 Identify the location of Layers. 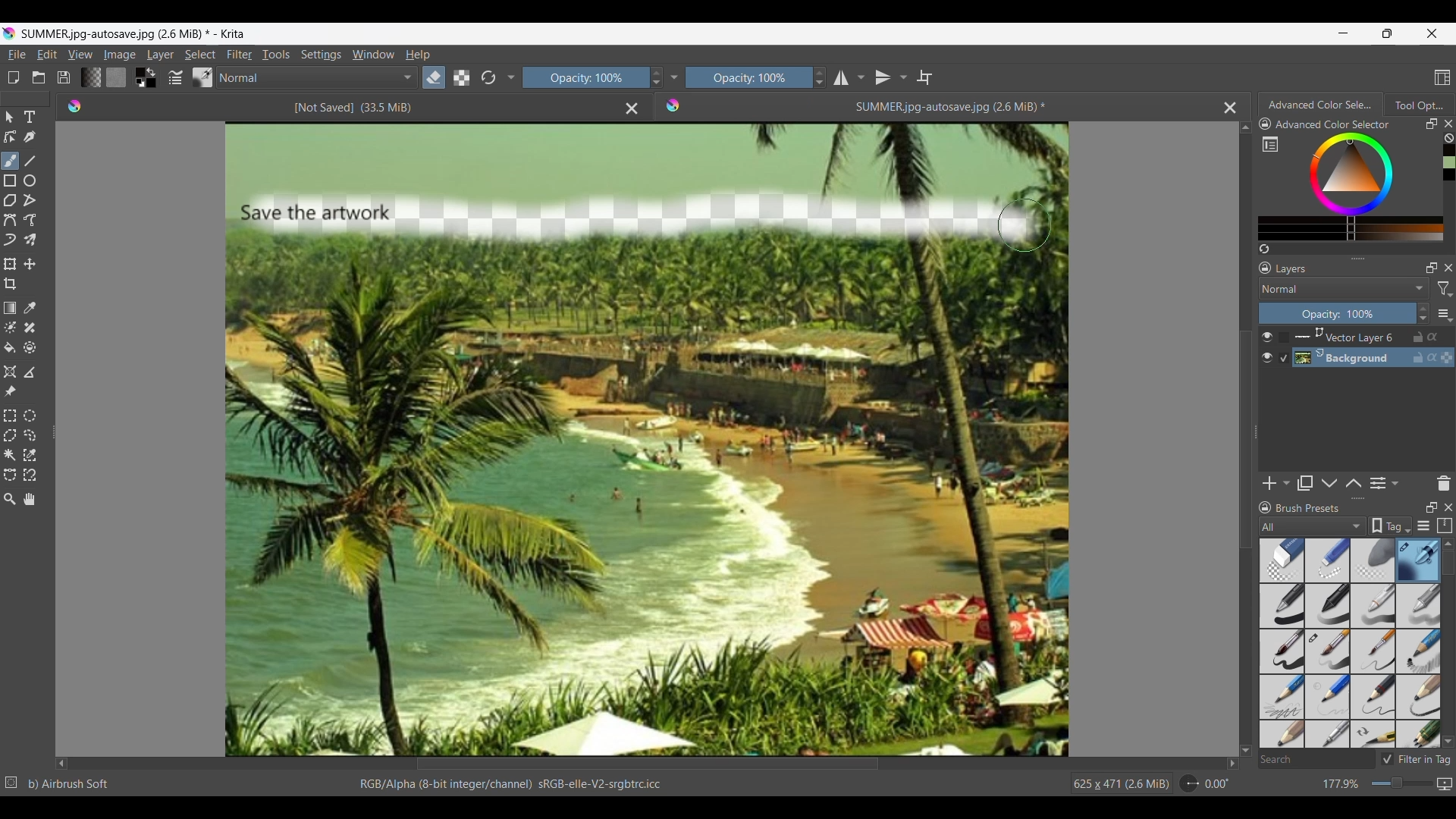
(1294, 268).